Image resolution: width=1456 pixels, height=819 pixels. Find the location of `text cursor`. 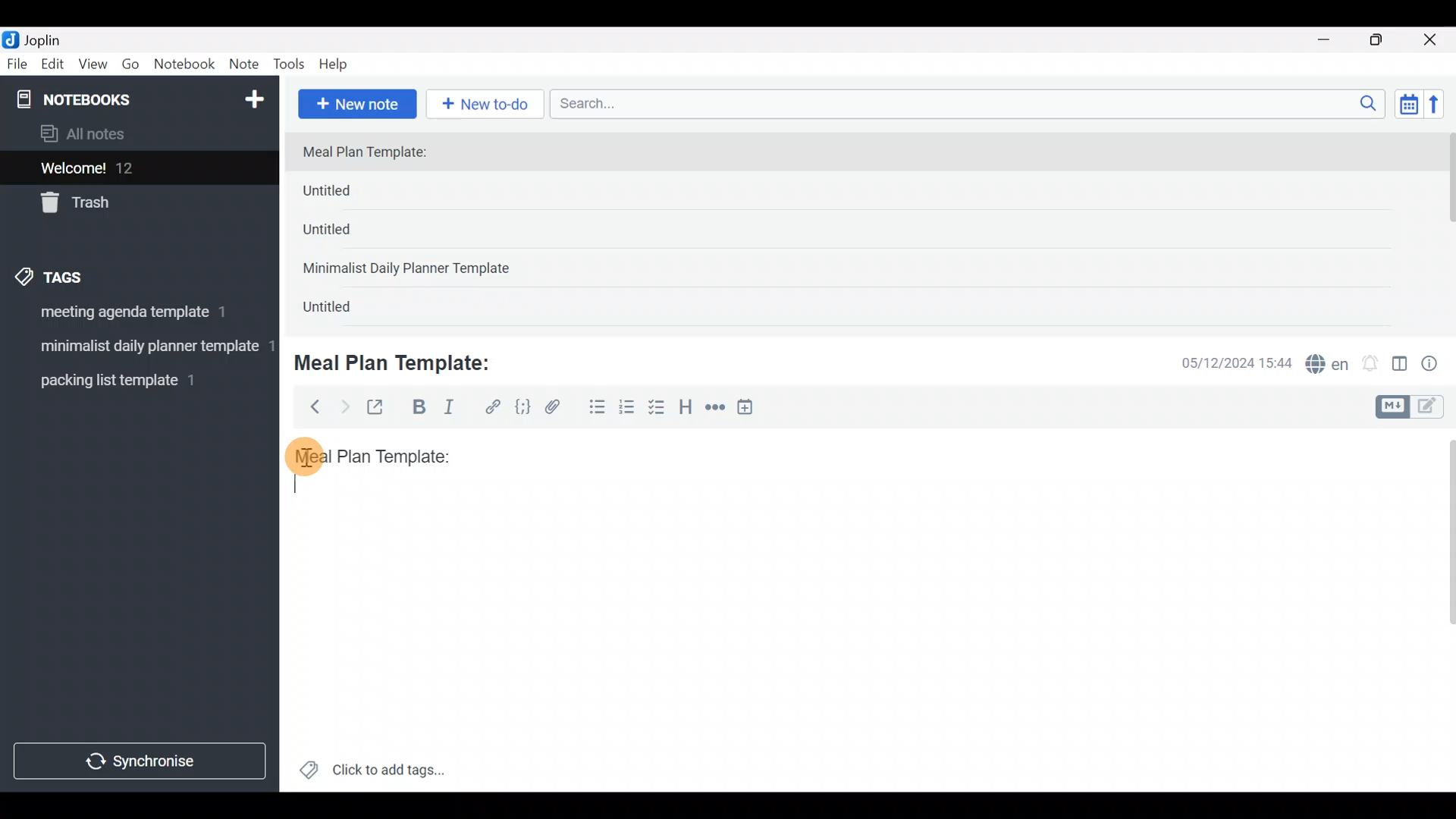

text cursor is located at coordinates (301, 485).